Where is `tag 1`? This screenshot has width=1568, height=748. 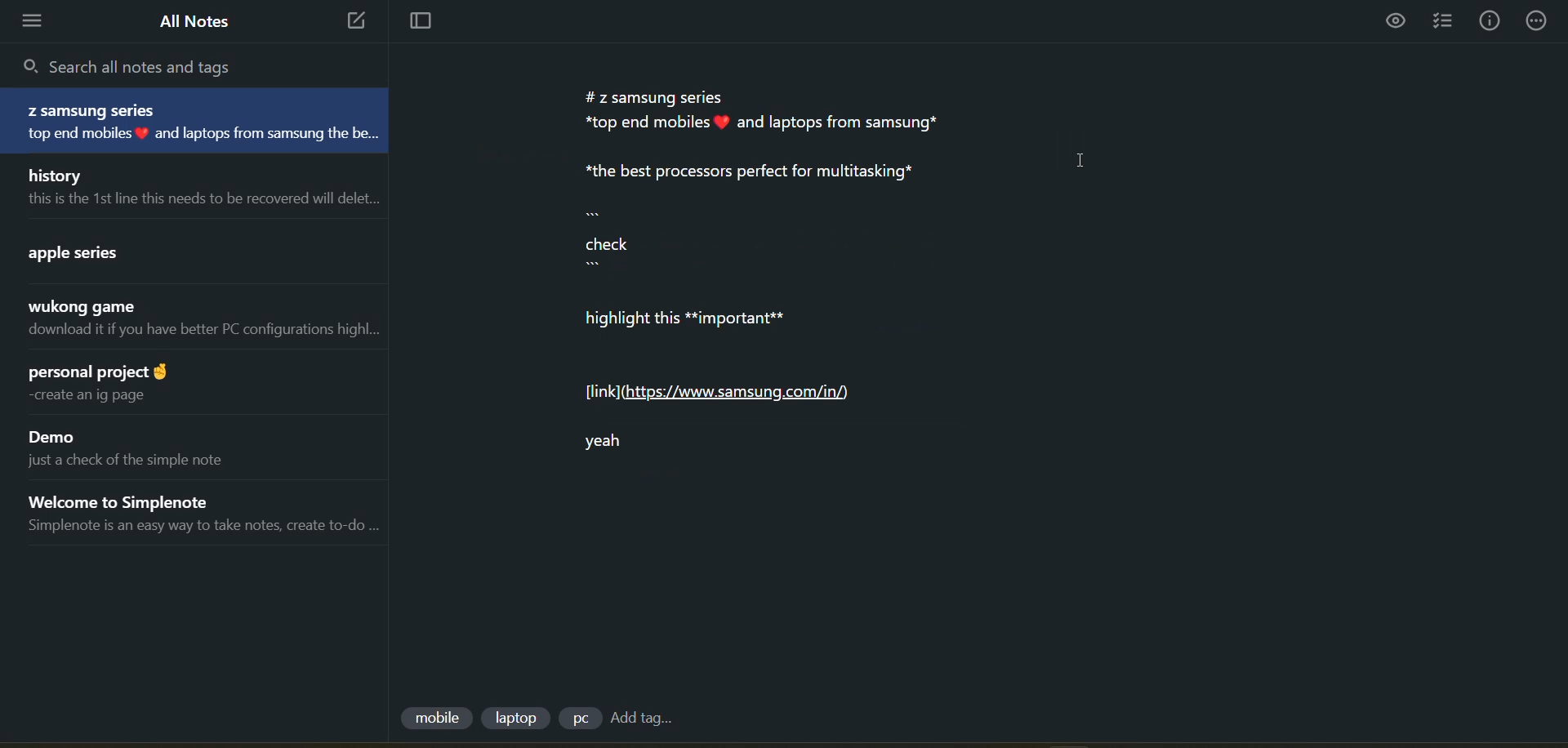
tag 1 is located at coordinates (435, 719).